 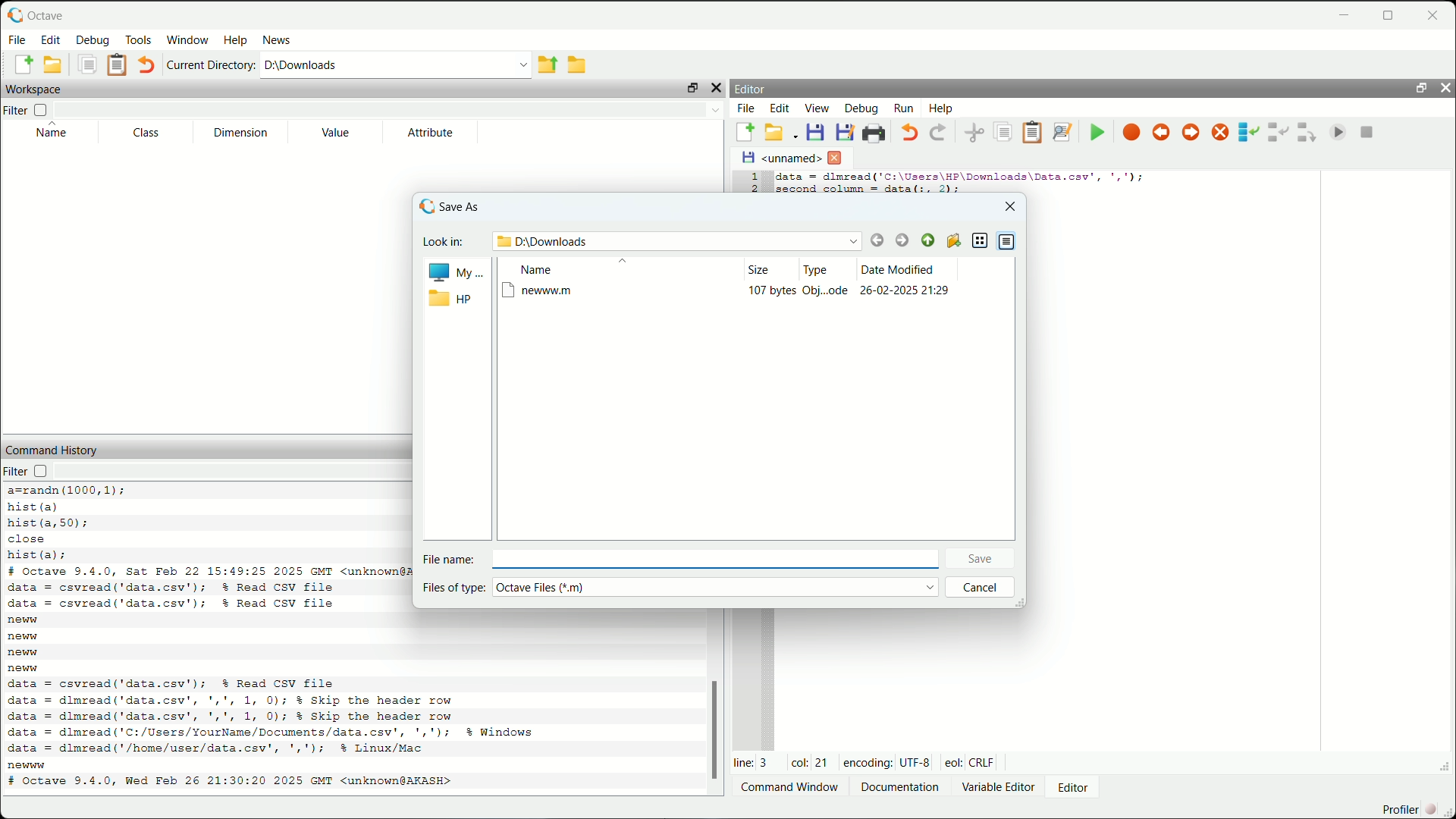 What do you see at coordinates (903, 240) in the screenshot?
I see `forward` at bounding box center [903, 240].